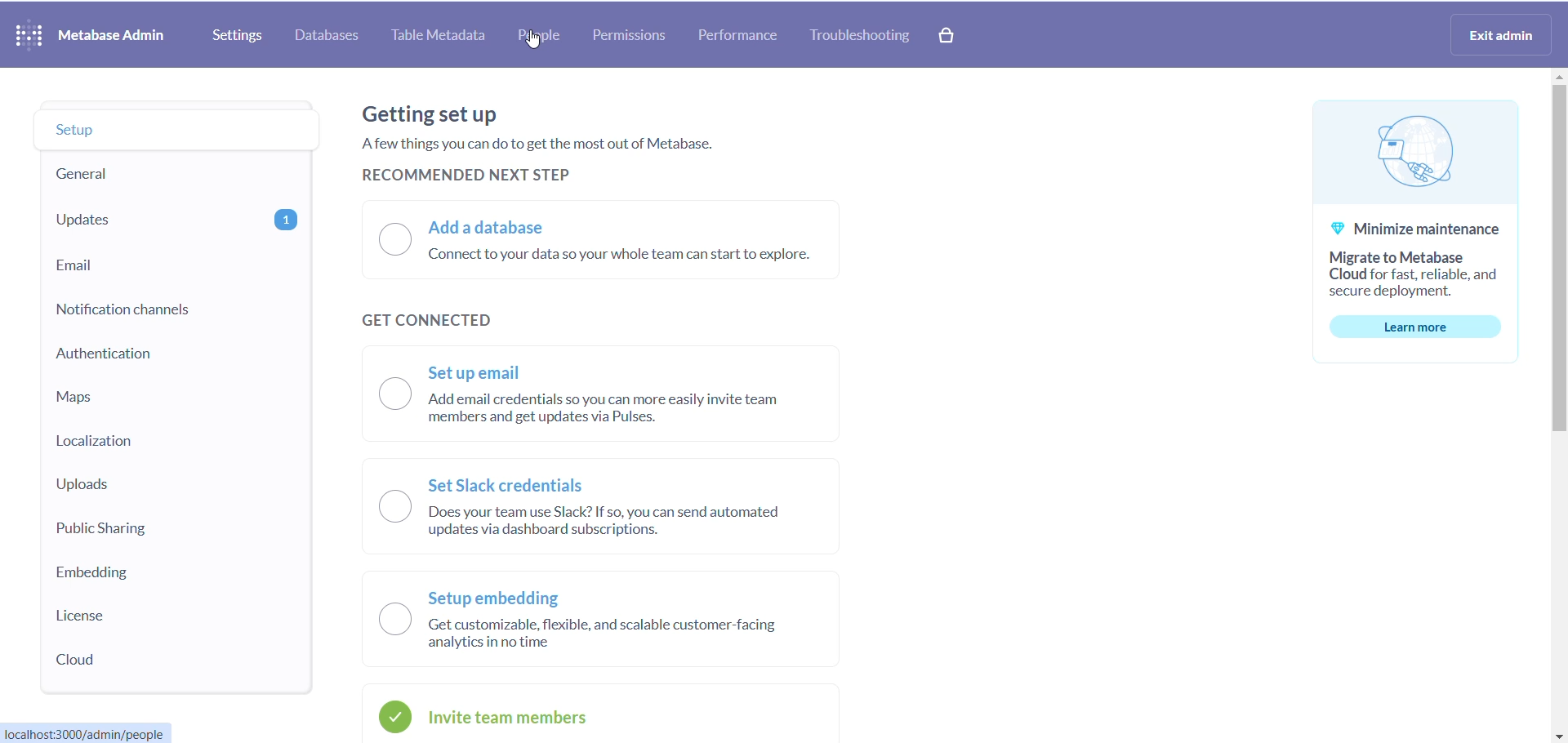  I want to click on NAME AND LOGO, so click(105, 33).